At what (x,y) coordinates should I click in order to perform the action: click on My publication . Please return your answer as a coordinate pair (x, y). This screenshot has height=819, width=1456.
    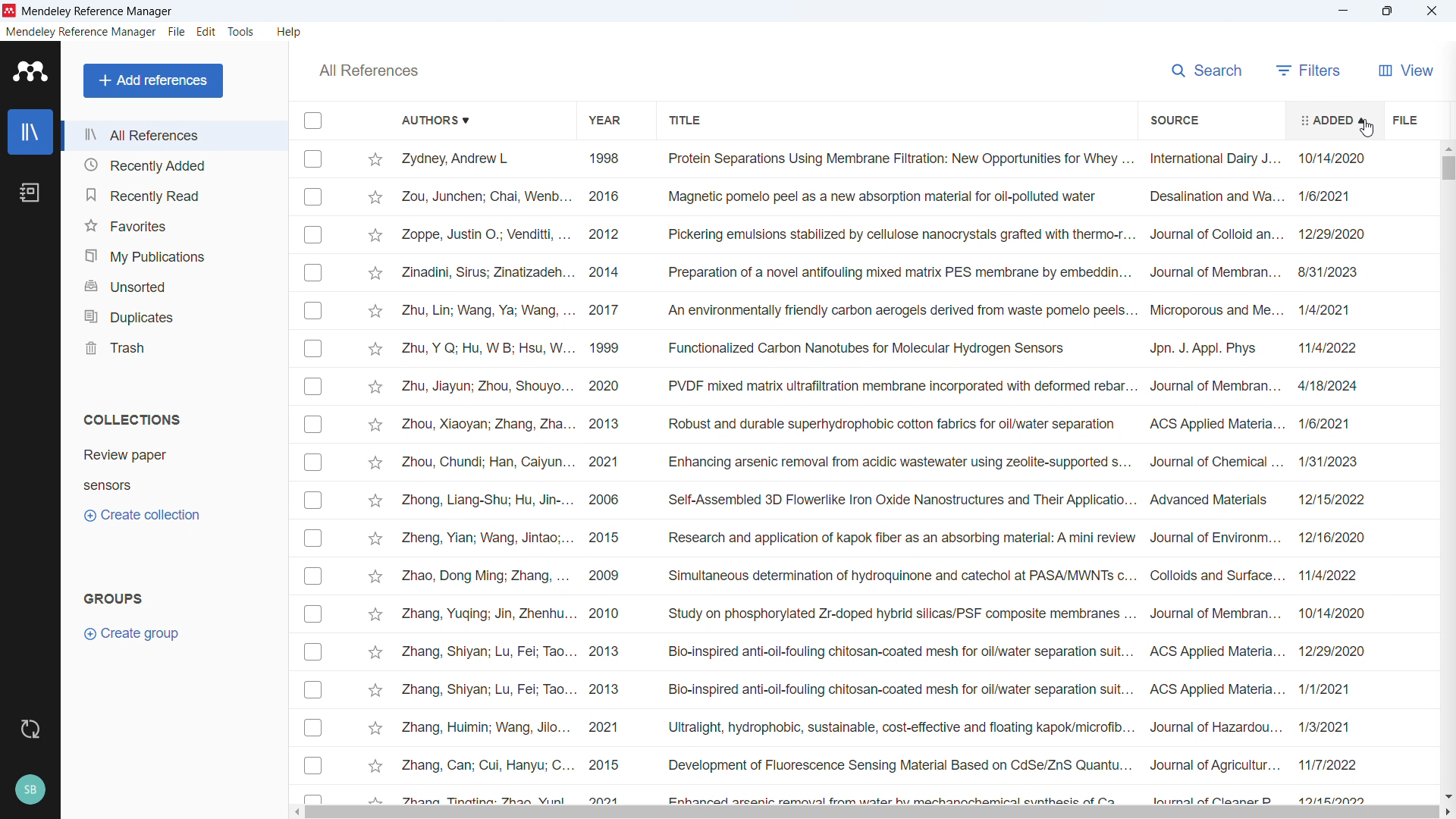
    Looking at the image, I should click on (173, 253).